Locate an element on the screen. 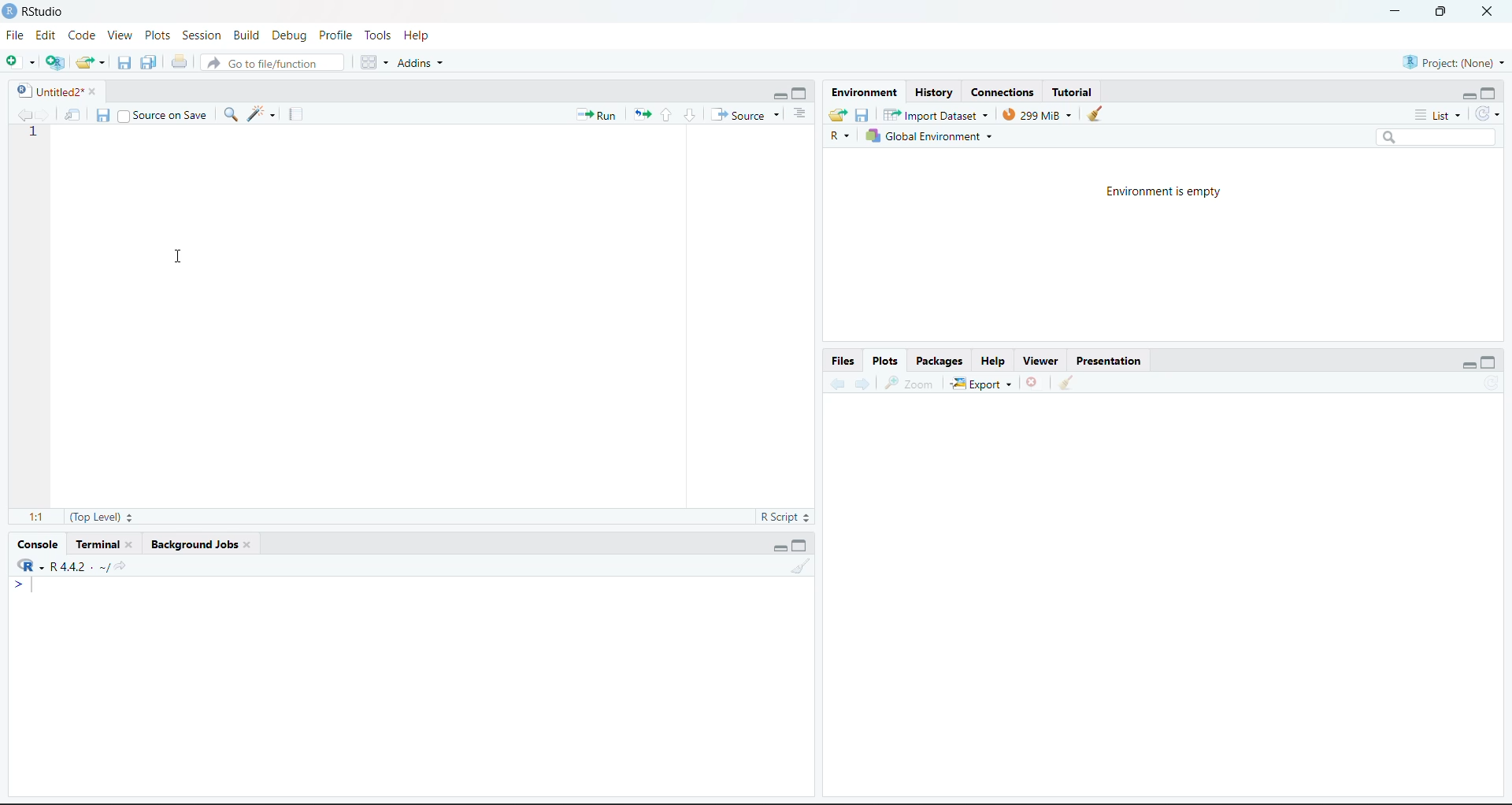  Terminal is located at coordinates (96, 544).